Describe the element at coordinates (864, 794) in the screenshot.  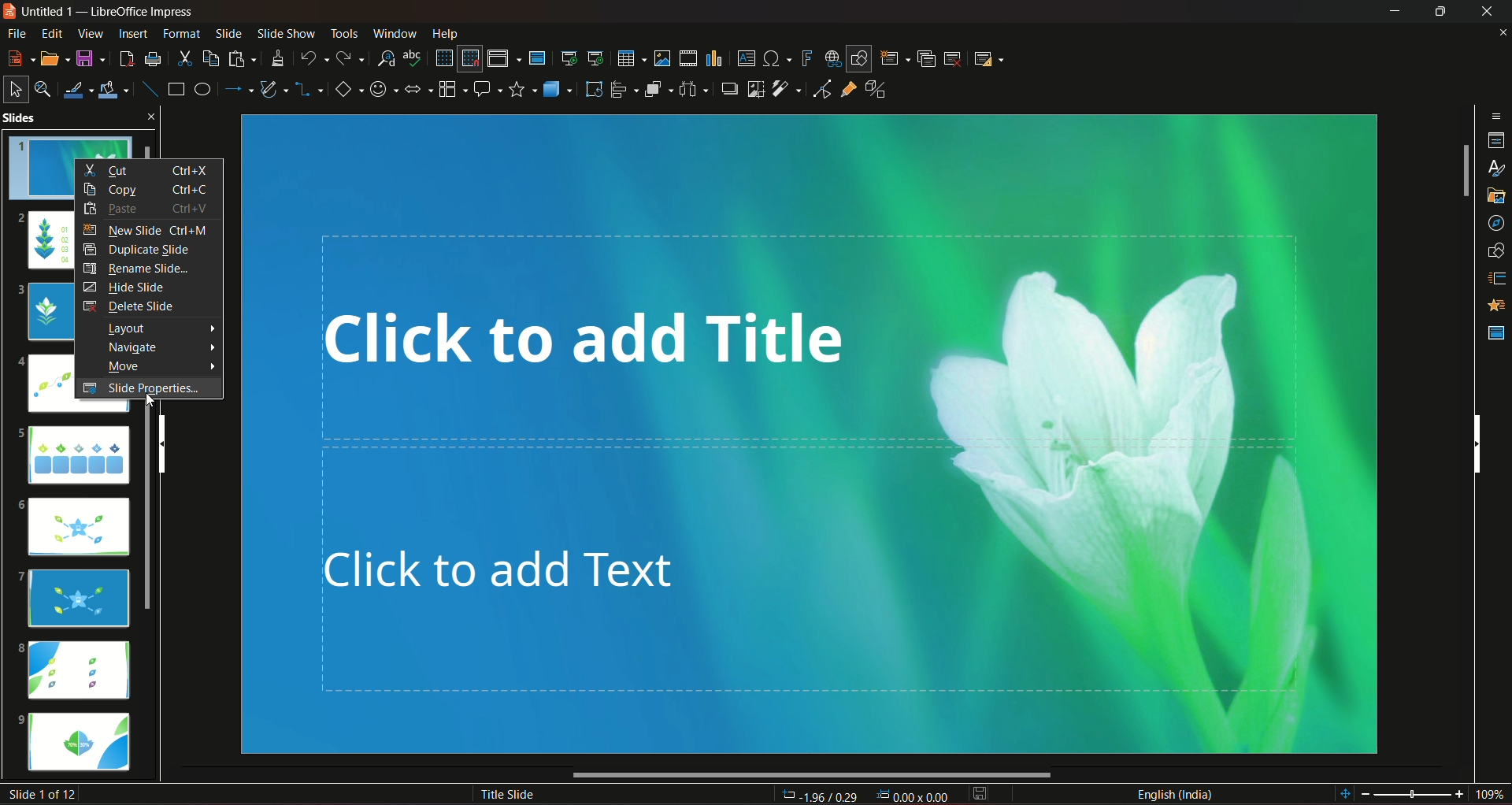
I see `dimensions` at that location.